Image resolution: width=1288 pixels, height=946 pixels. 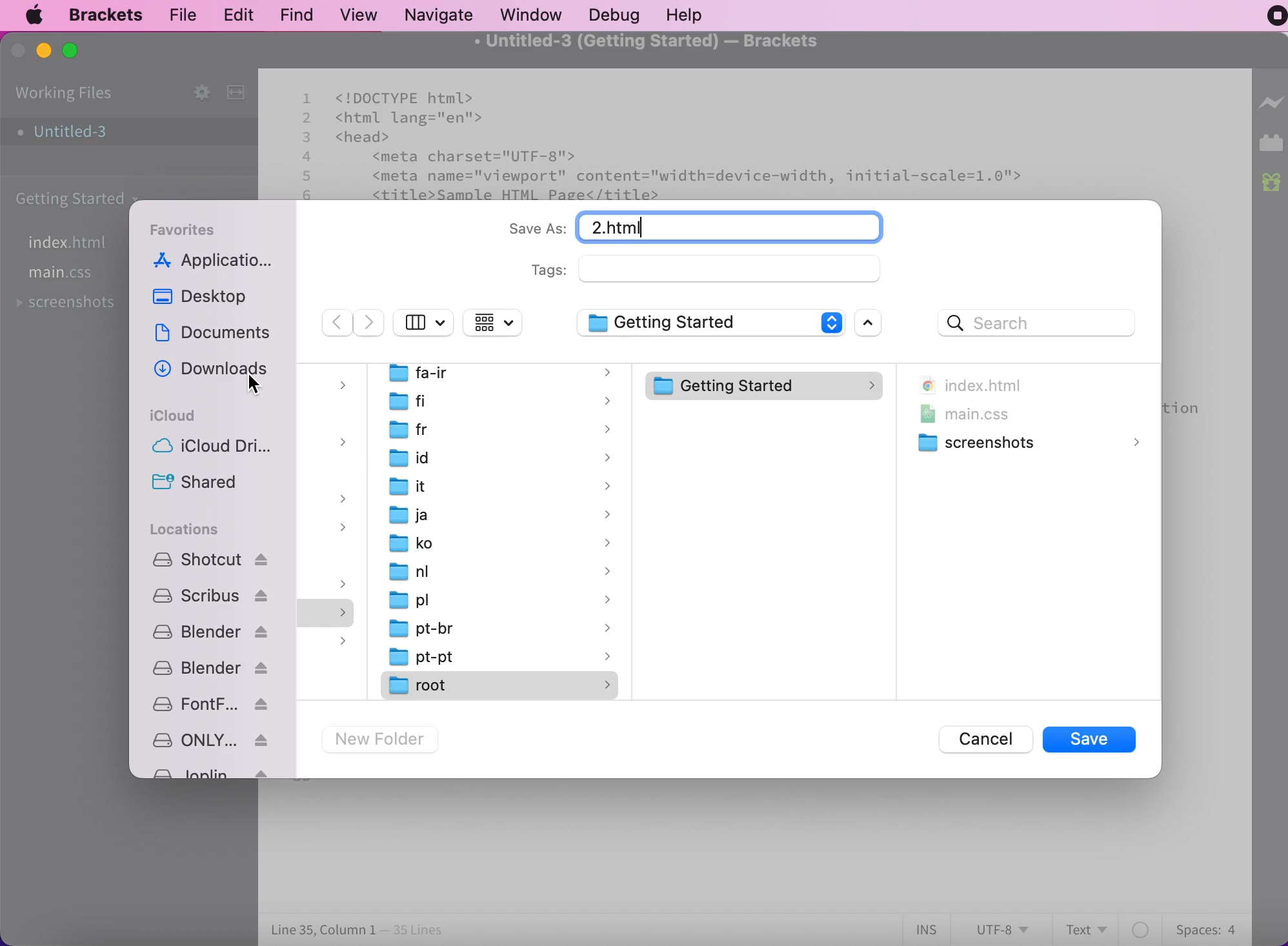 I want to click on open scroll, so click(x=875, y=322).